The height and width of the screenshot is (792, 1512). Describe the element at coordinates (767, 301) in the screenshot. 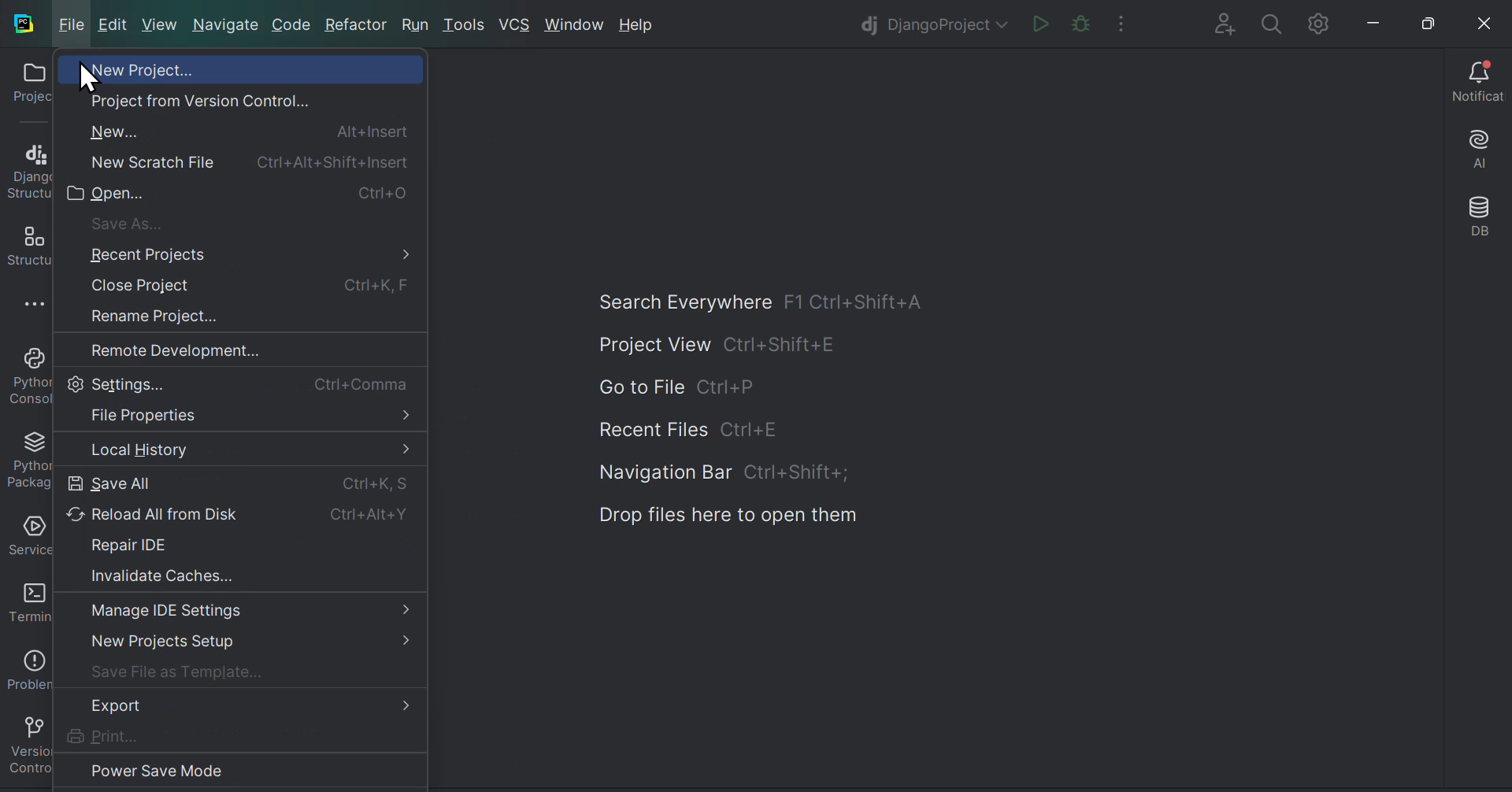

I see `Search everywhere` at that location.